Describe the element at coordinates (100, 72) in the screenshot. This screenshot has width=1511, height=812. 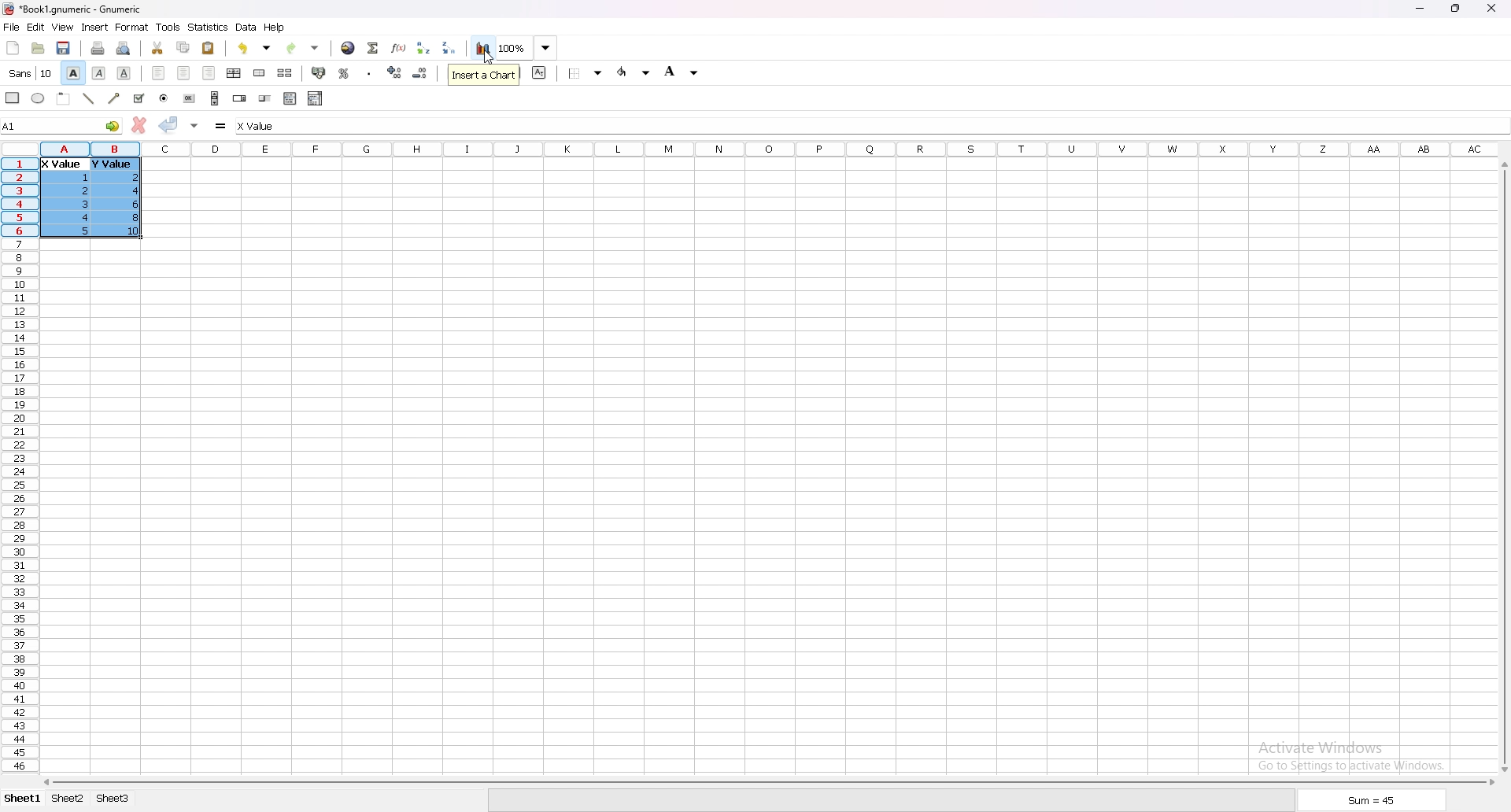
I see `italic` at that location.